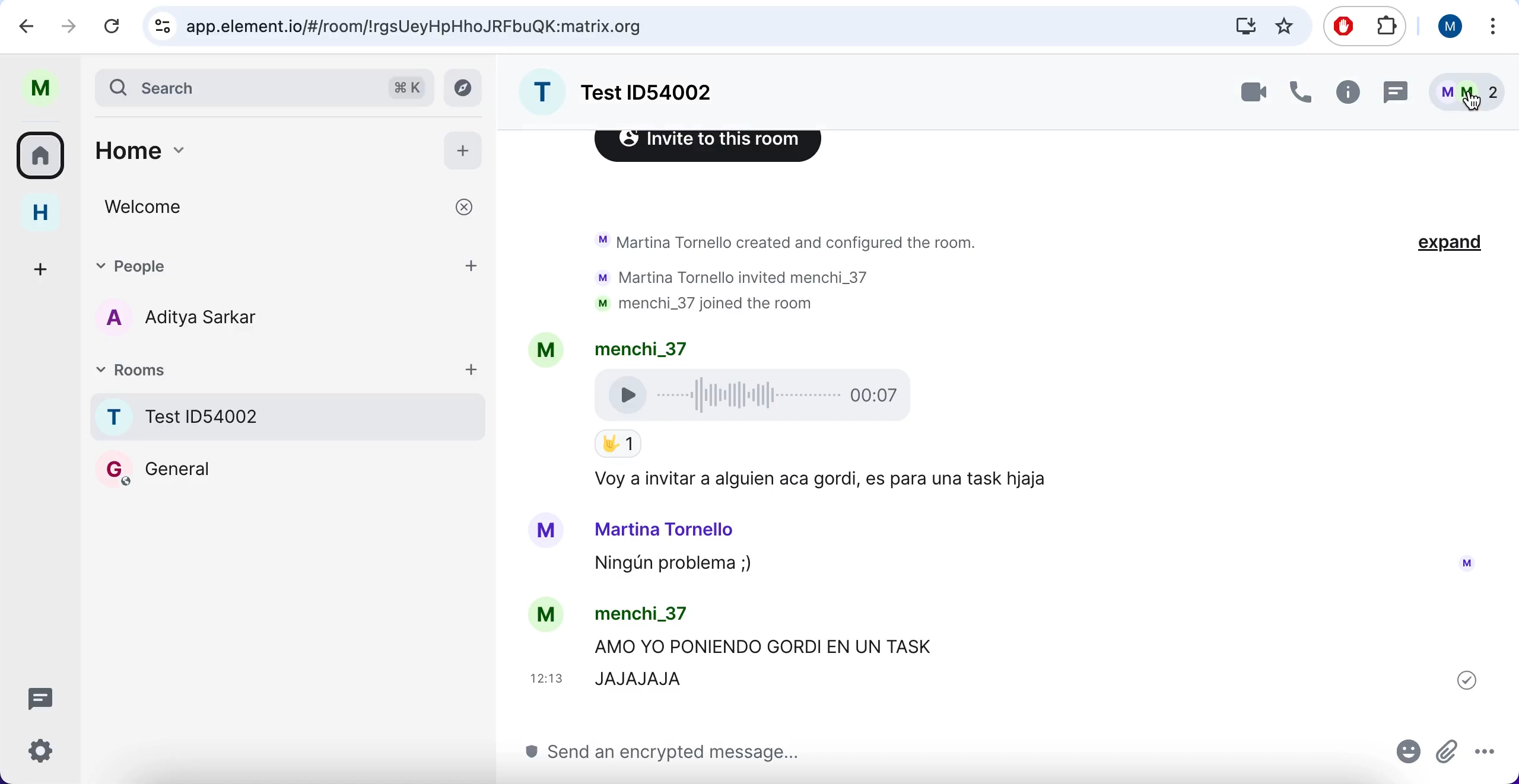 Image resolution: width=1519 pixels, height=784 pixels. What do you see at coordinates (939, 755) in the screenshot?
I see `send message` at bounding box center [939, 755].